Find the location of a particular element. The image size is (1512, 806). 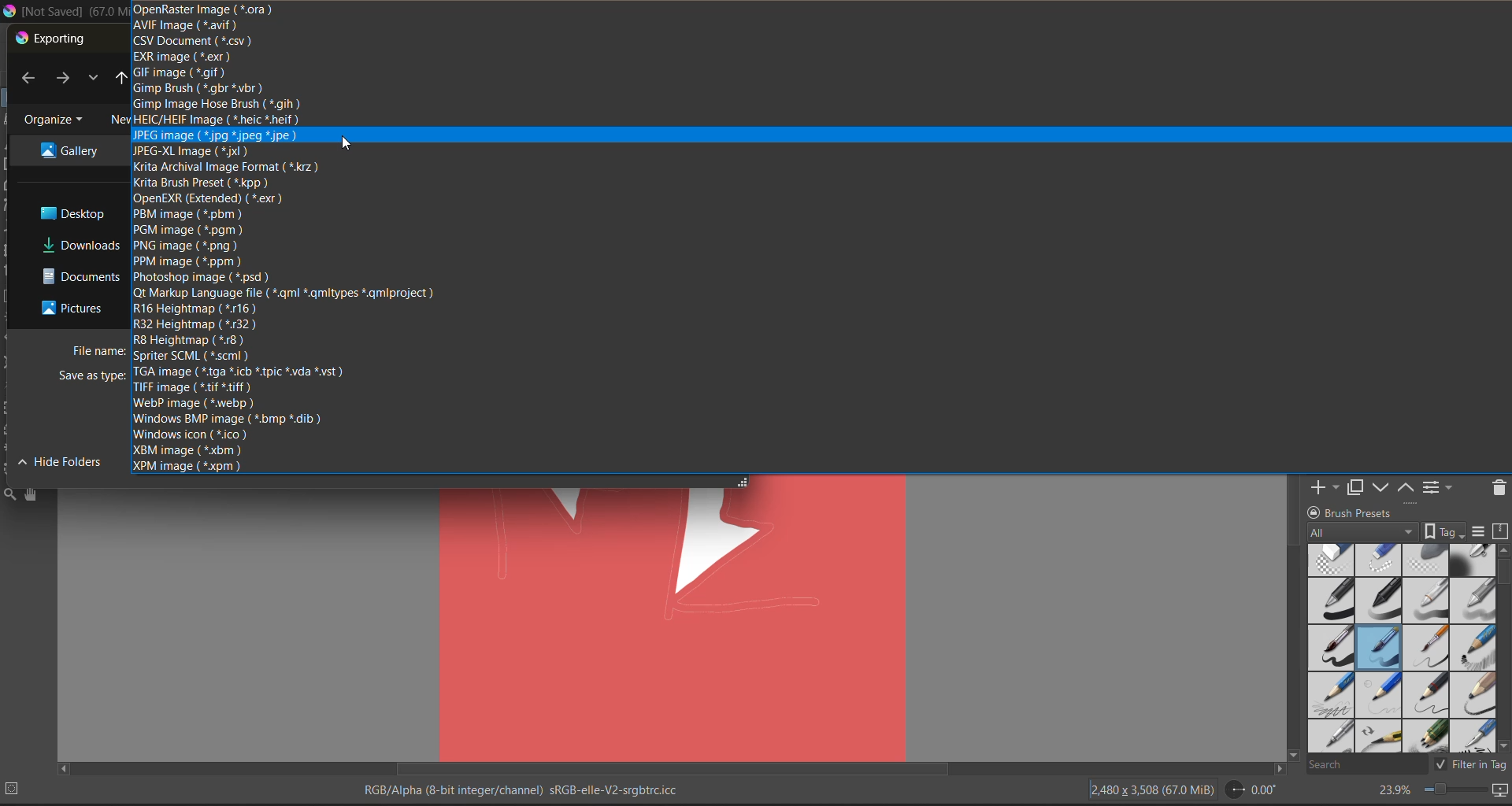

heic/heif image is located at coordinates (235, 120).